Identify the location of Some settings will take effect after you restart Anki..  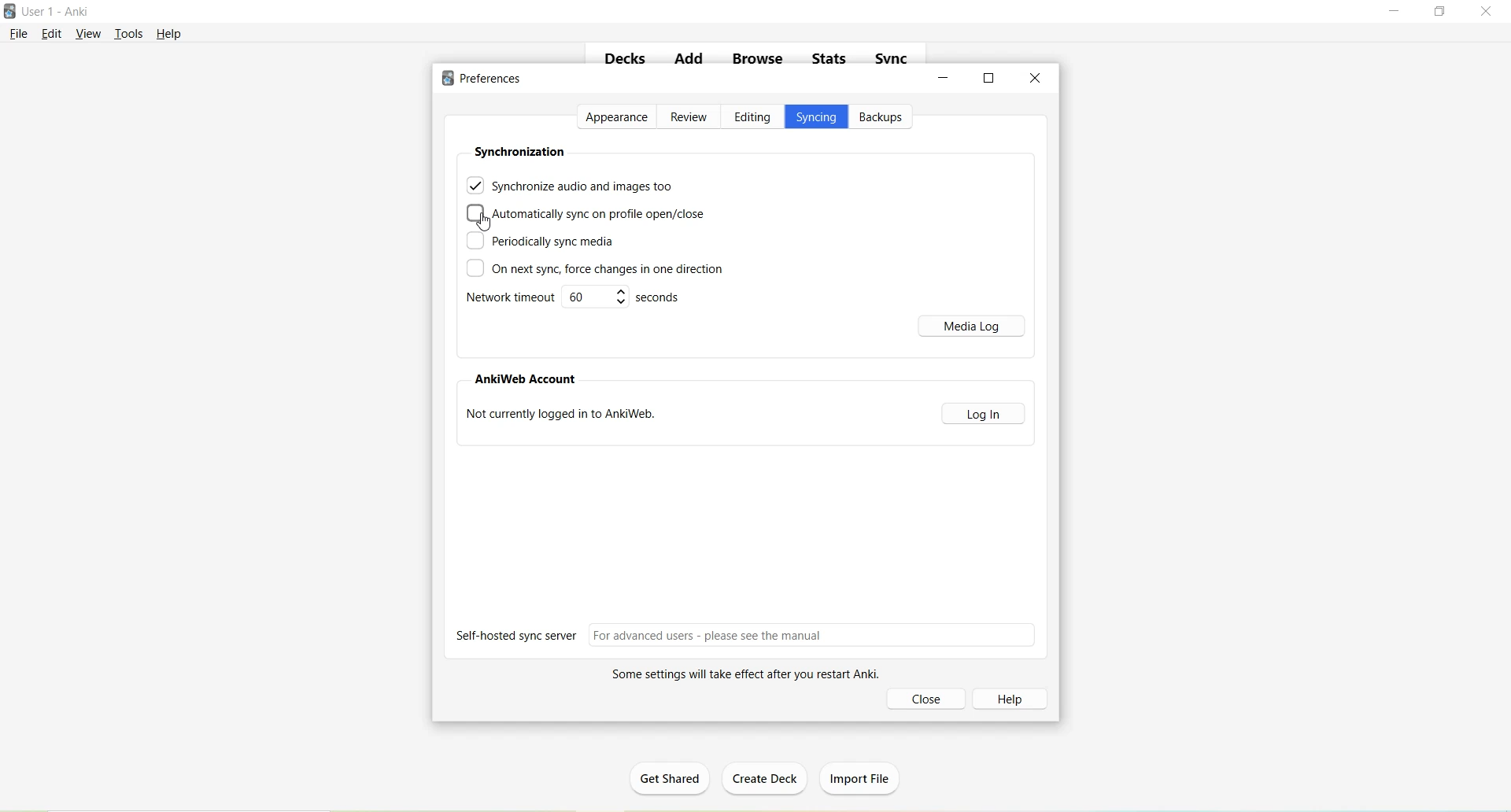
(739, 675).